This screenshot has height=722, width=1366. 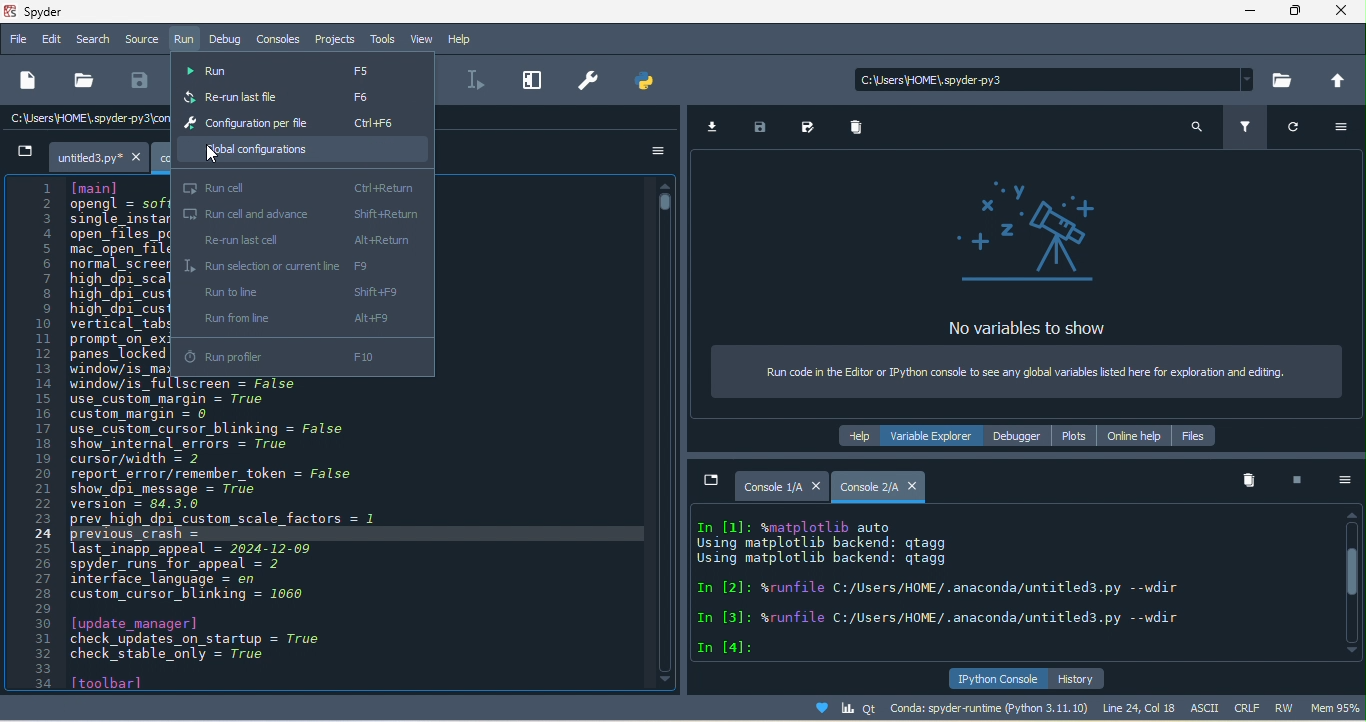 I want to click on maximize, so click(x=1294, y=13).